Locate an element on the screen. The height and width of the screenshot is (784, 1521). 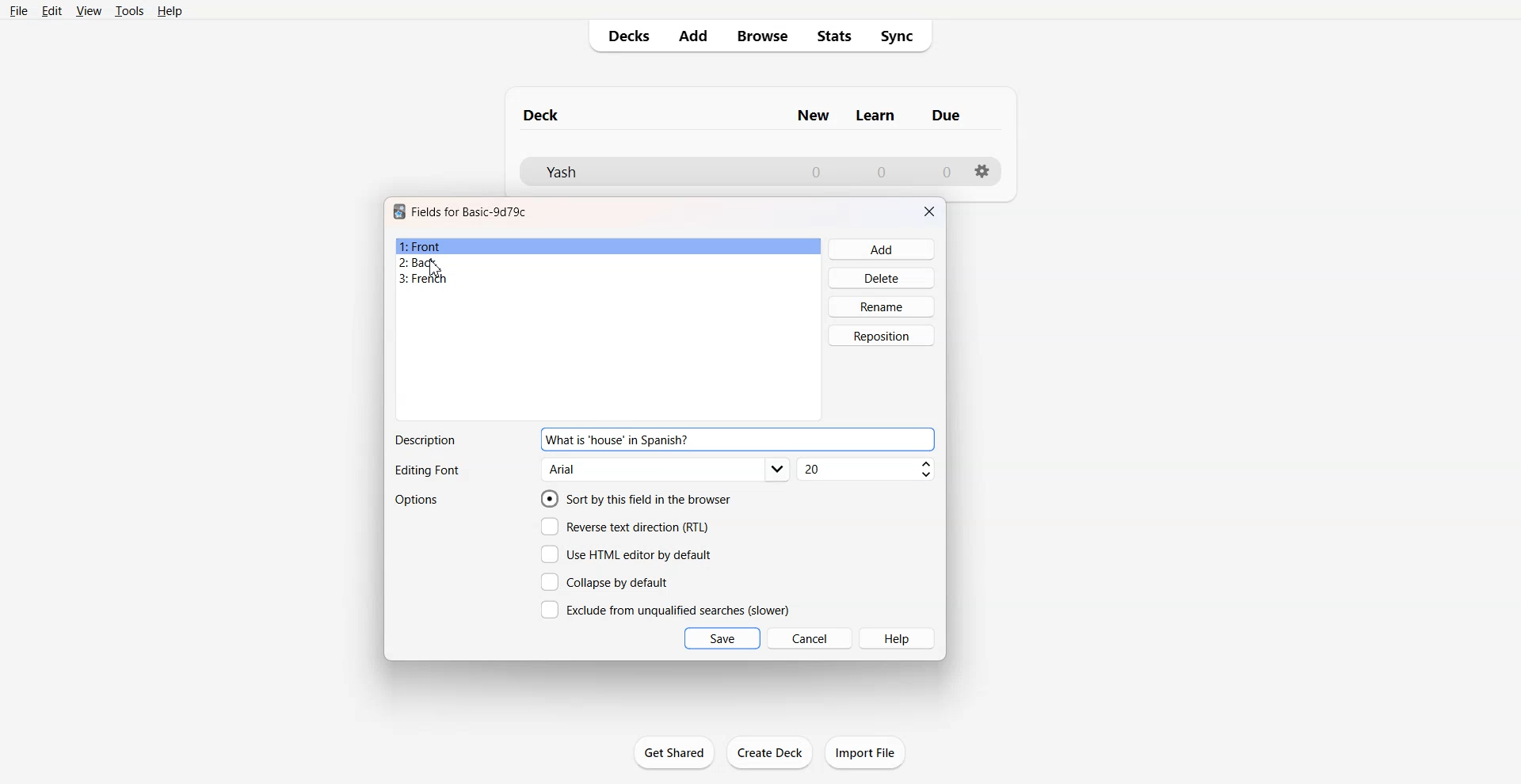
Help is located at coordinates (898, 638).